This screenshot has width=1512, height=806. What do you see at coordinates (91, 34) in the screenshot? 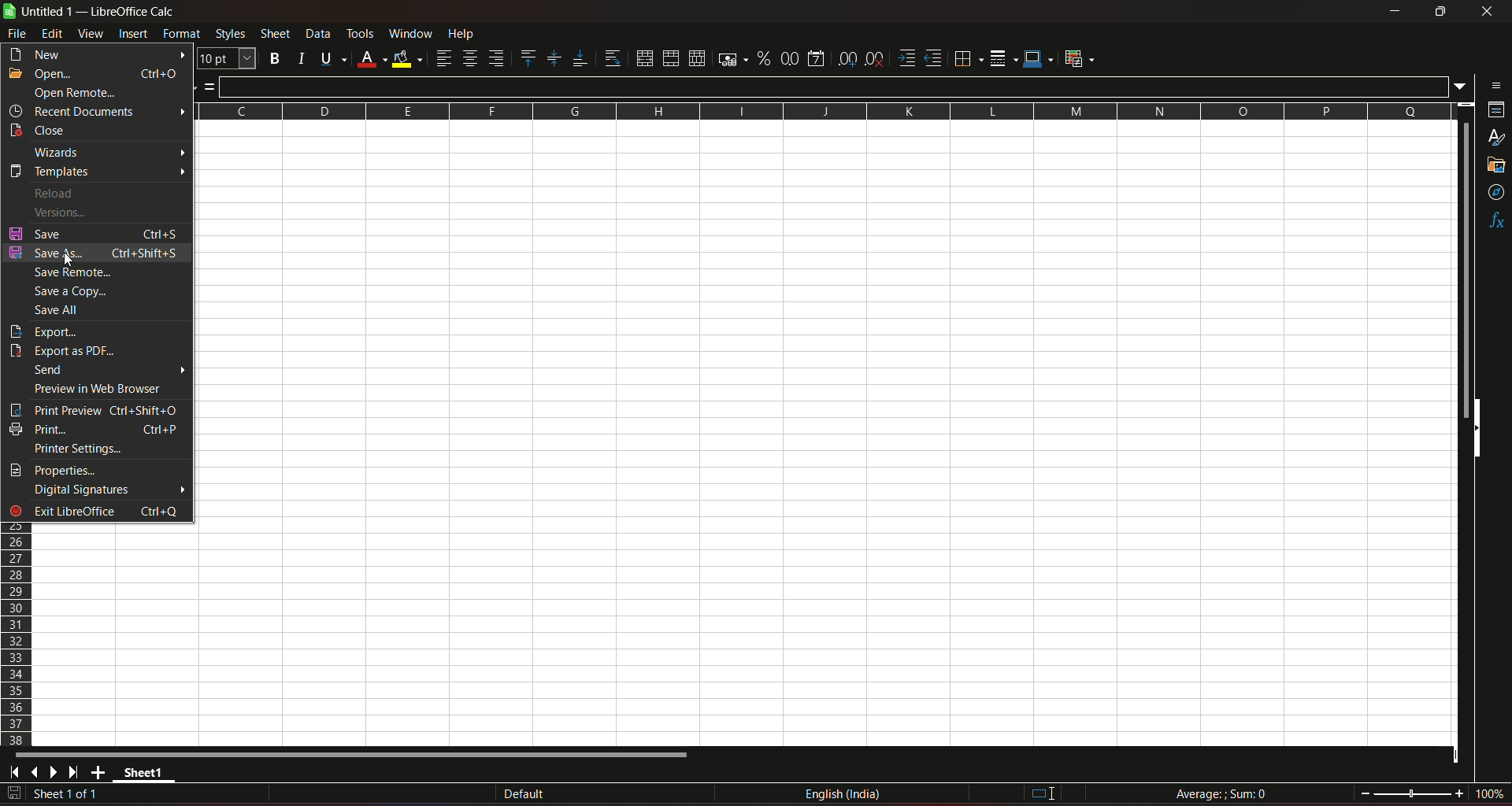
I see `view` at bounding box center [91, 34].